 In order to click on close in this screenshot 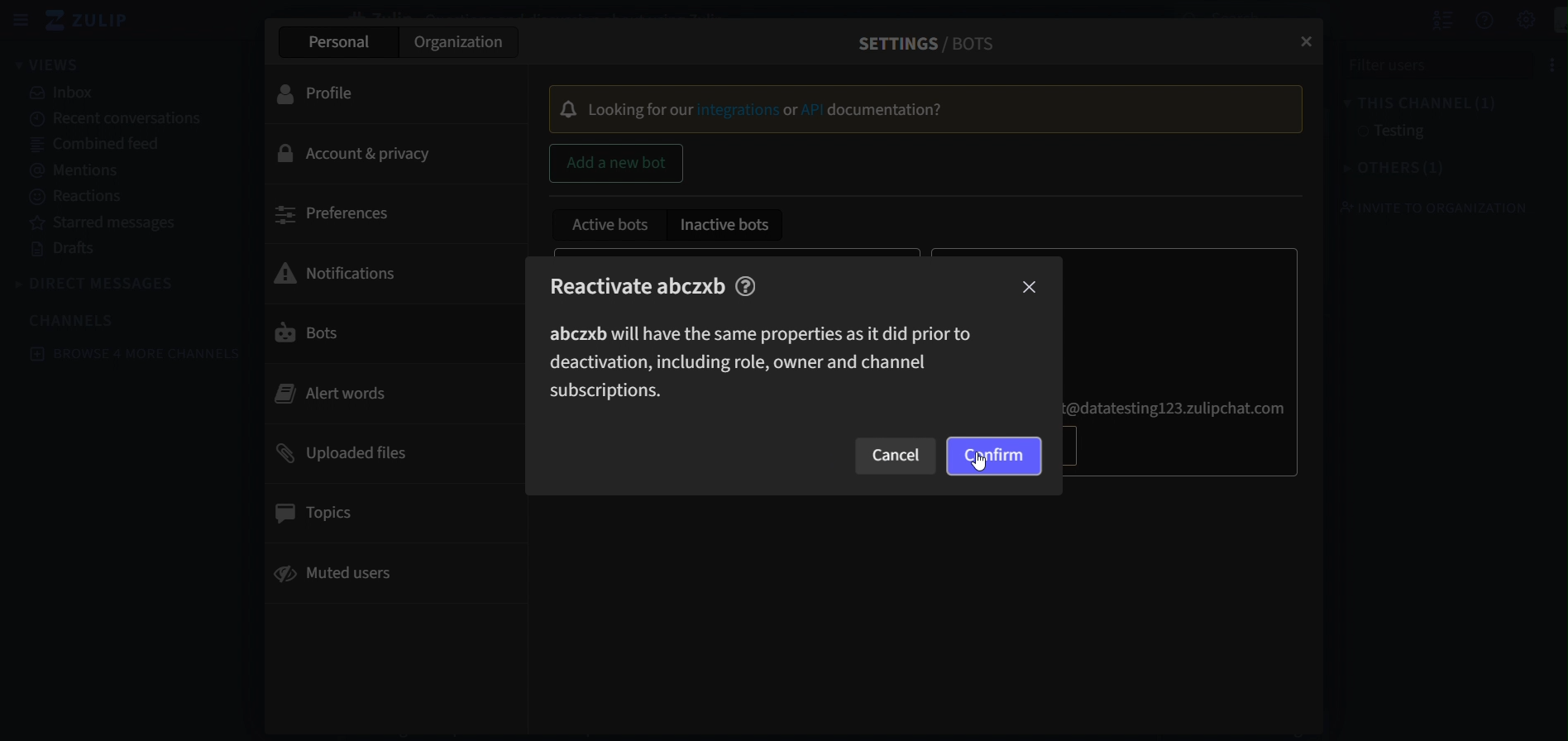, I will do `click(1031, 289)`.